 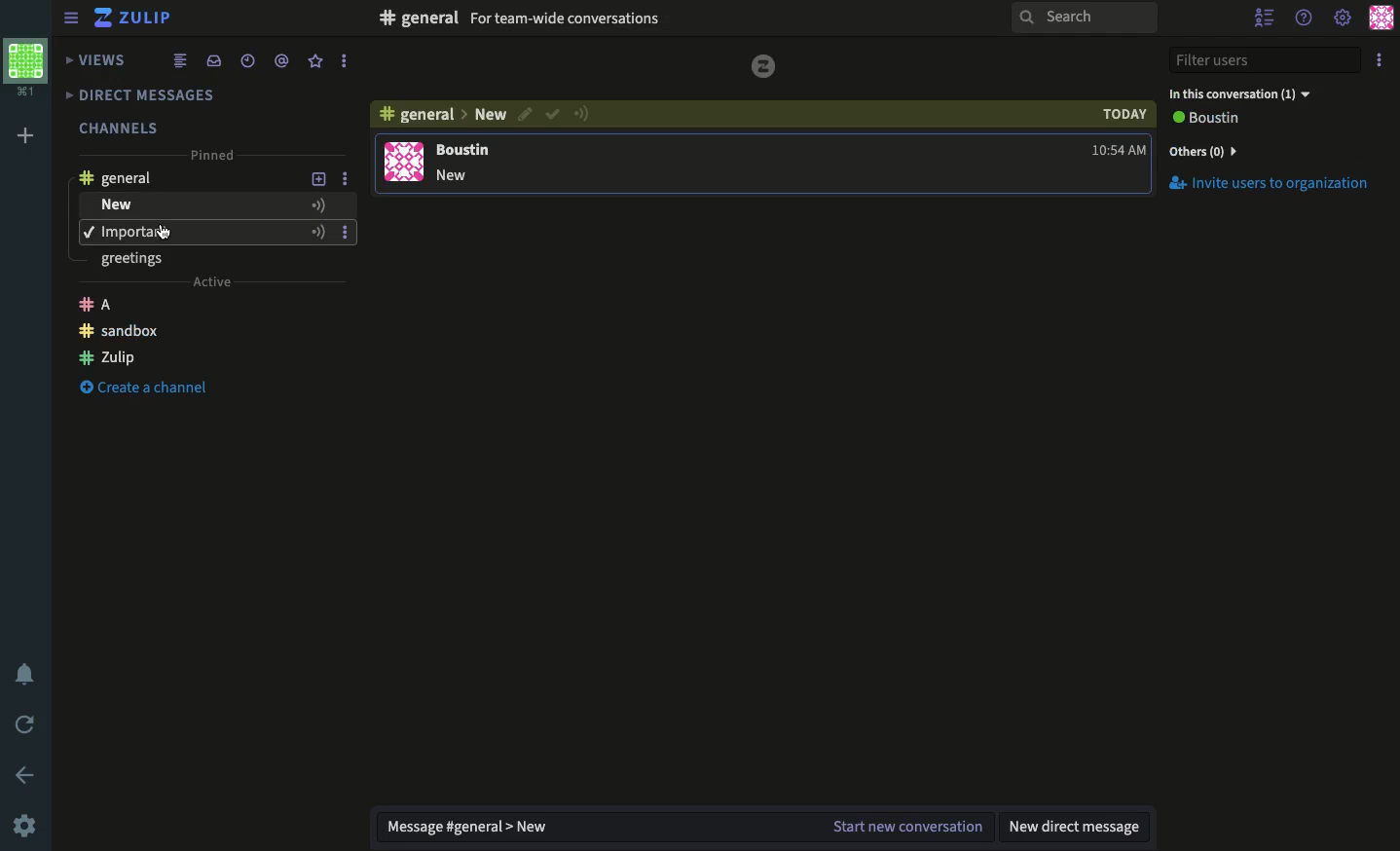 I want to click on Add, so click(x=315, y=232).